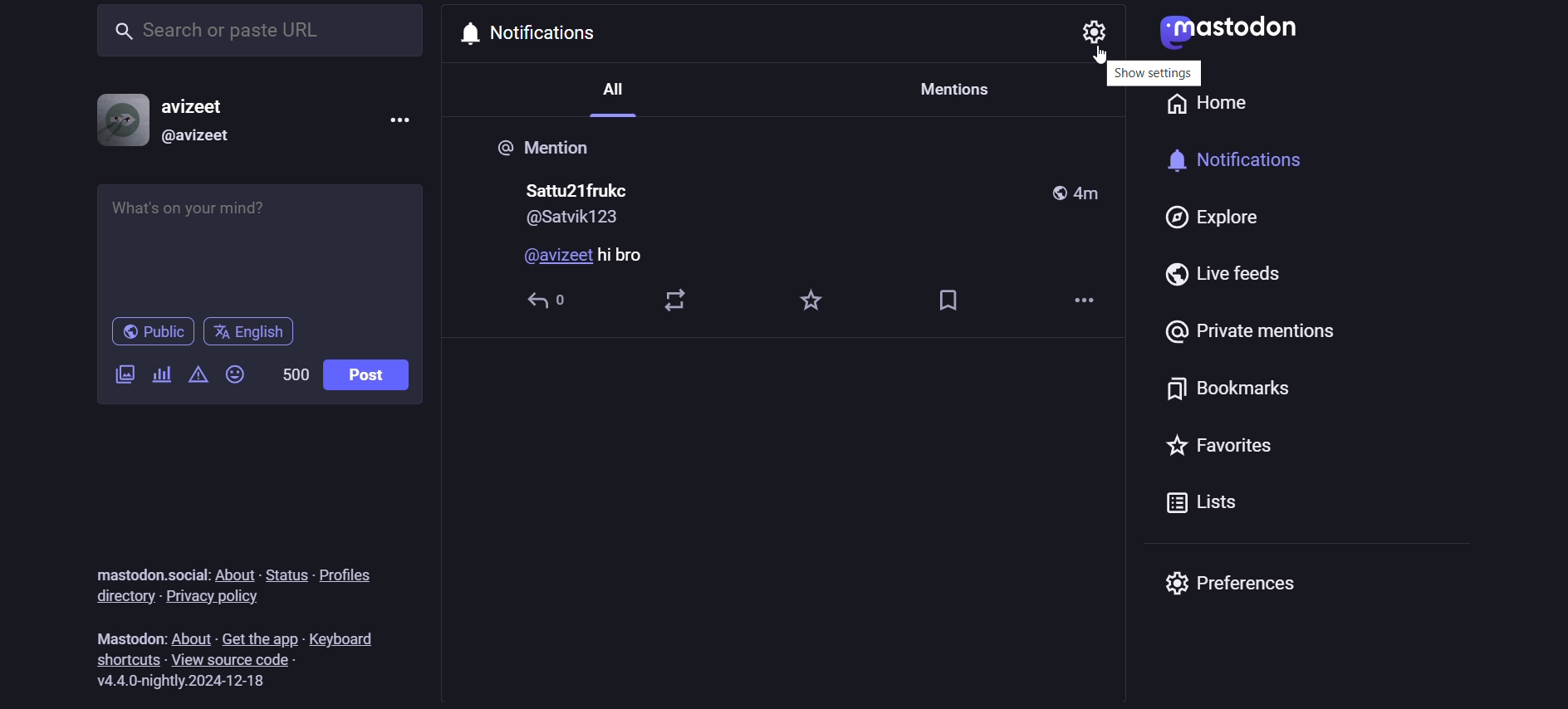  Describe the element at coordinates (124, 372) in the screenshot. I see `Add image` at that location.